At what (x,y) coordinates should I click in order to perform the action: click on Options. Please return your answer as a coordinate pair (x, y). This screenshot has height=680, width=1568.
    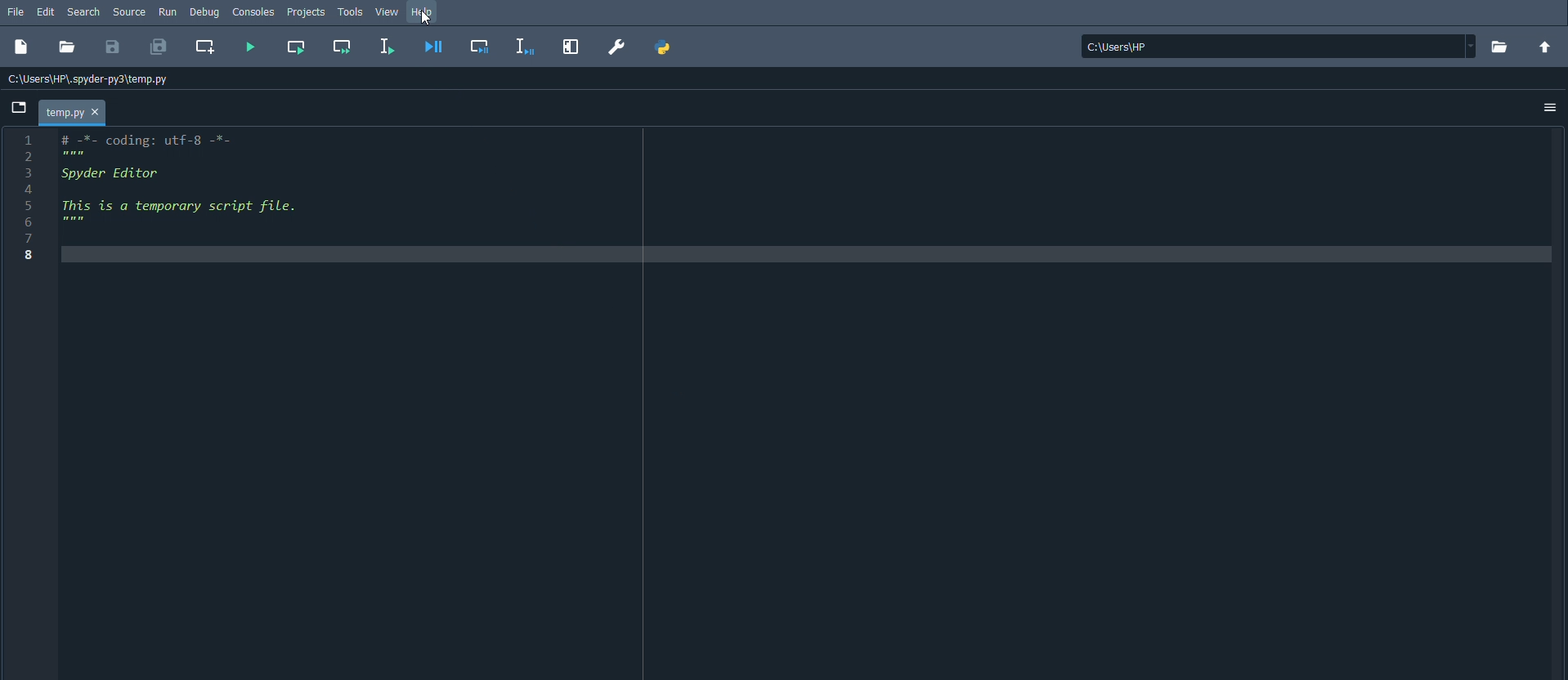
    Looking at the image, I should click on (1552, 108).